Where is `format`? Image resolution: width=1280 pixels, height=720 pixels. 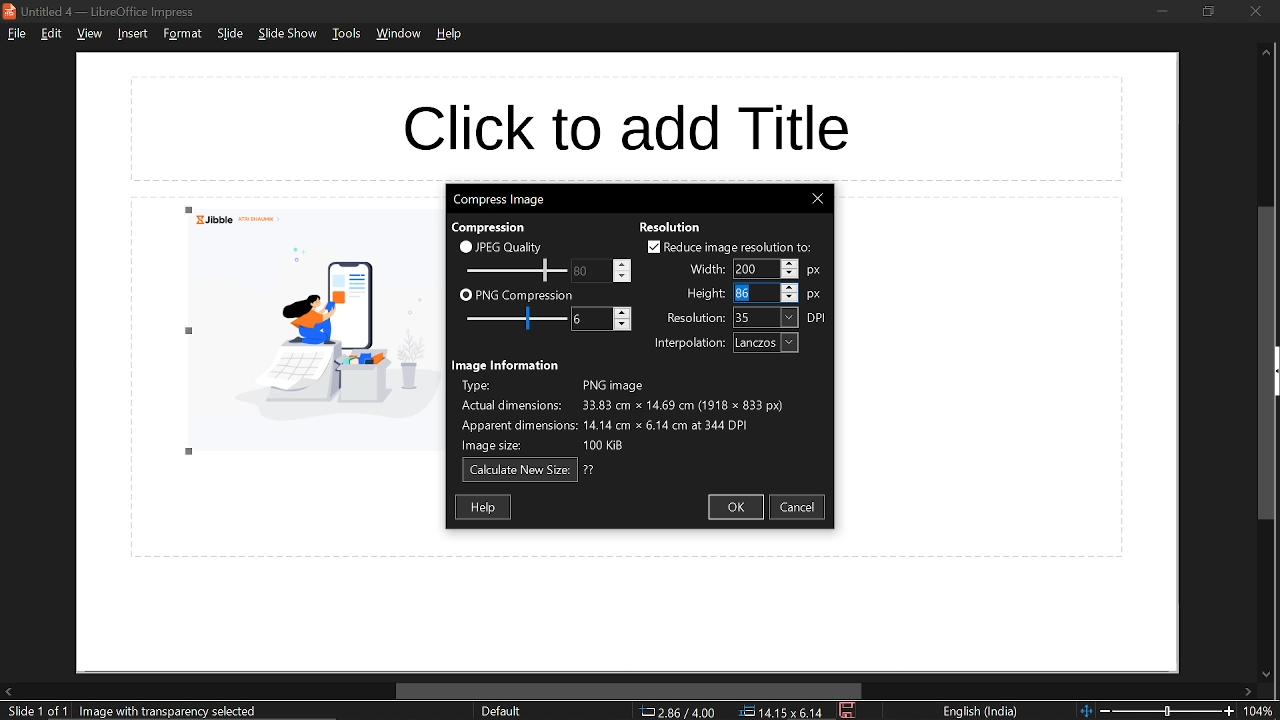 format is located at coordinates (182, 33).